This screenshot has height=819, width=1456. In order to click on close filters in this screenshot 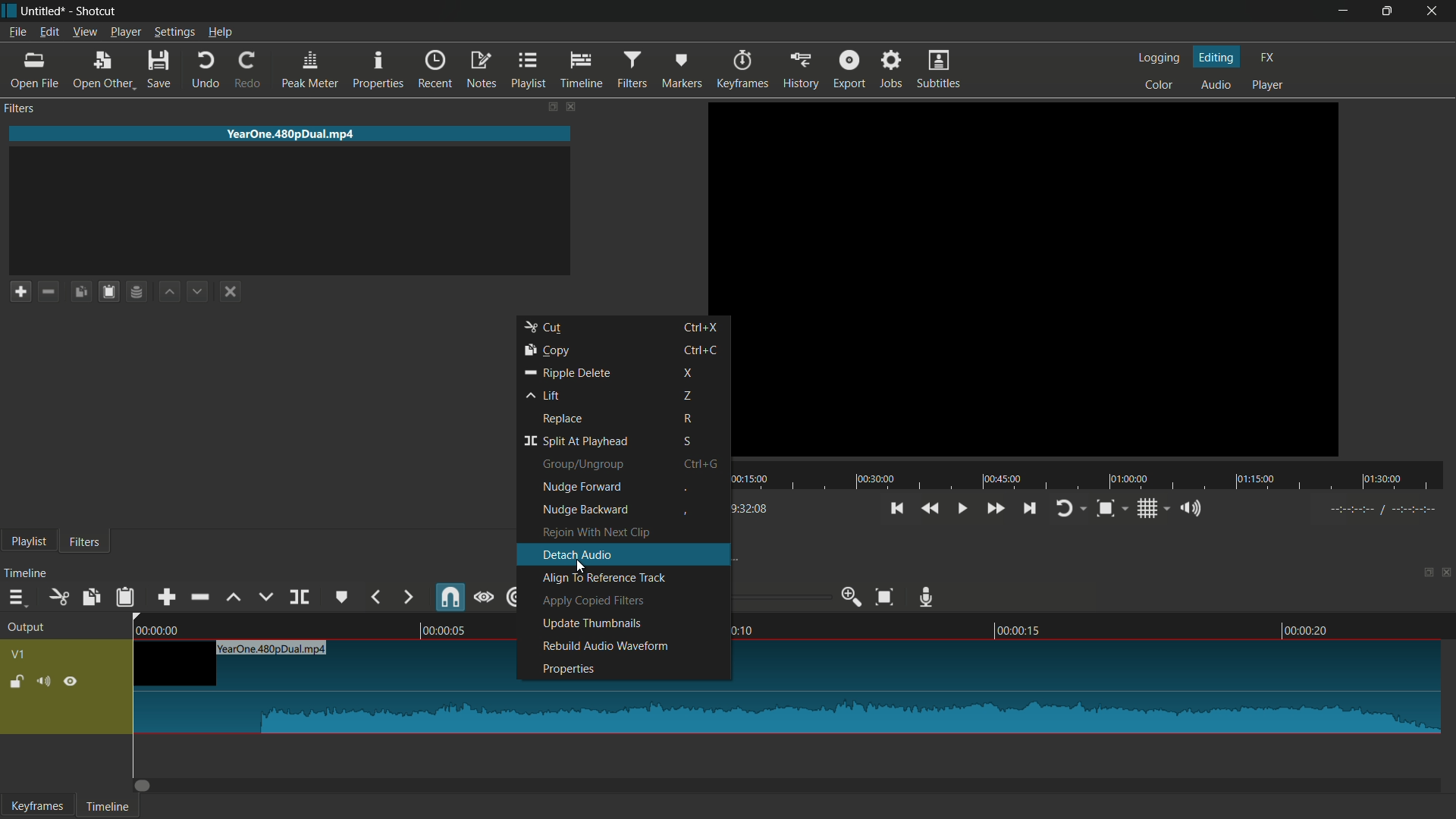, I will do `click(573, 106)`.